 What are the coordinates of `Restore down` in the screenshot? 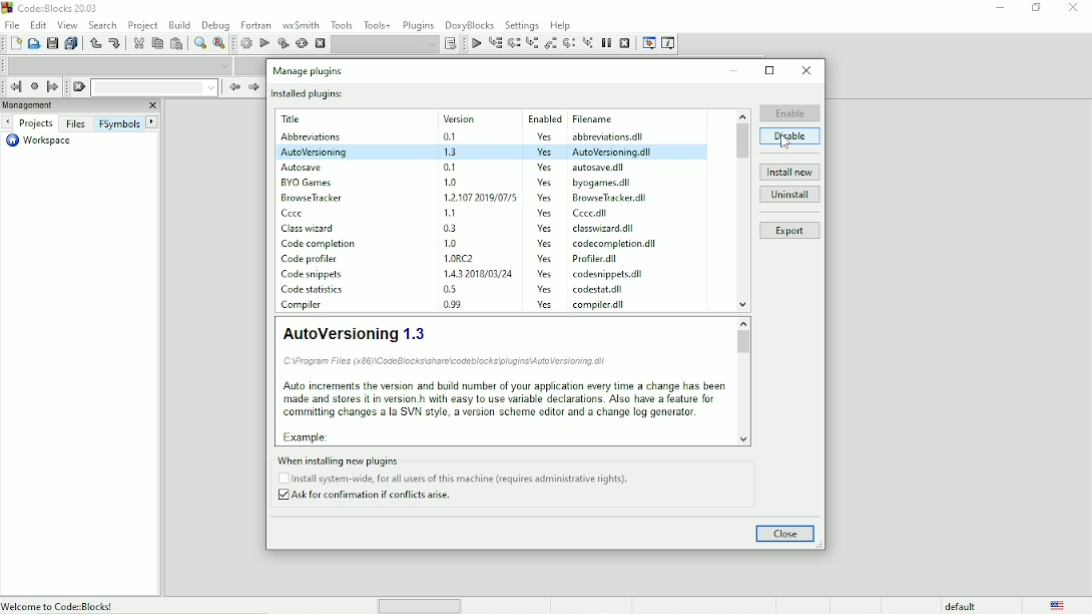 It's located at (770, 70).